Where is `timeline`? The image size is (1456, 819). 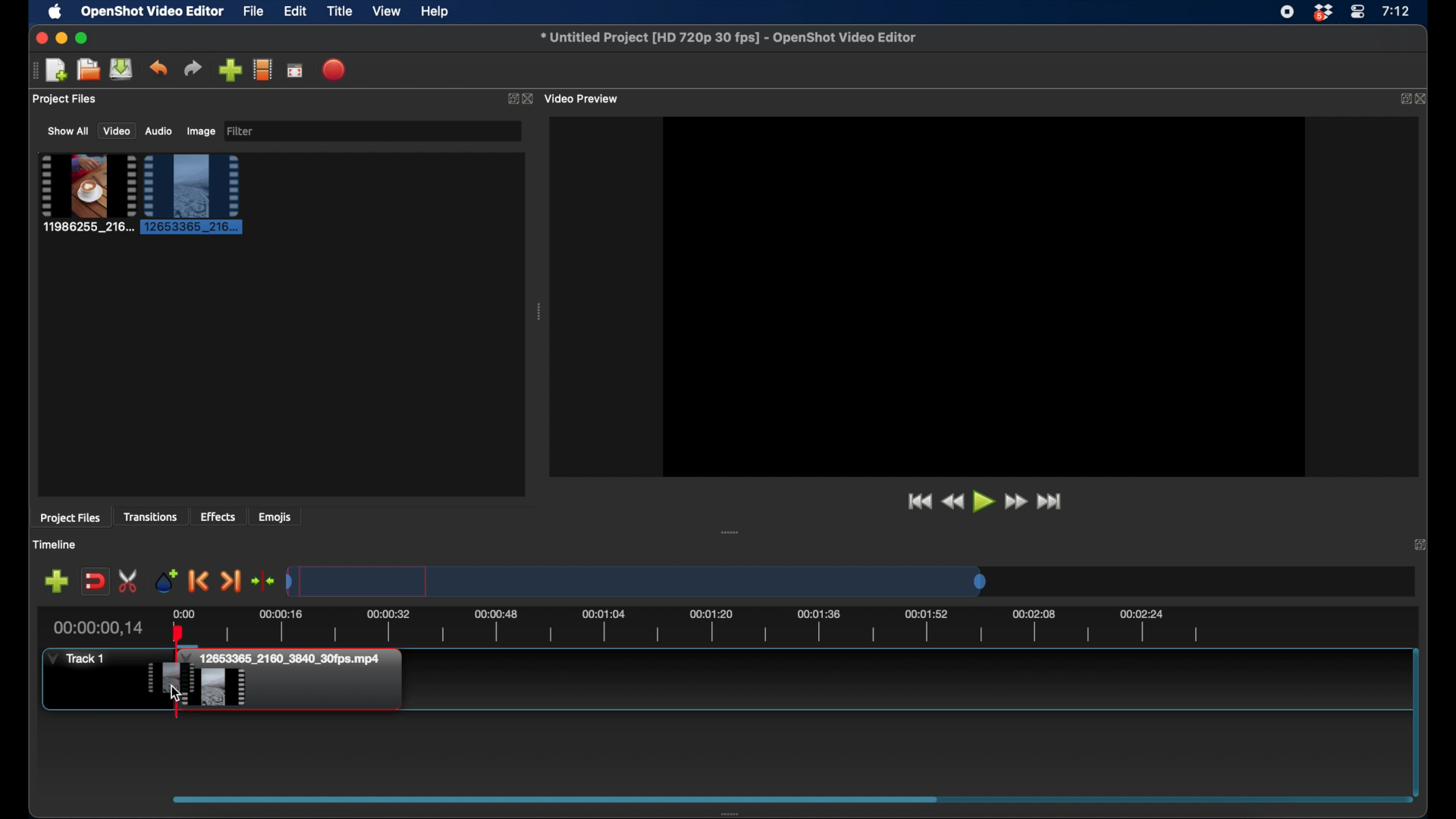 timeline is located at coordinates (54, 544).